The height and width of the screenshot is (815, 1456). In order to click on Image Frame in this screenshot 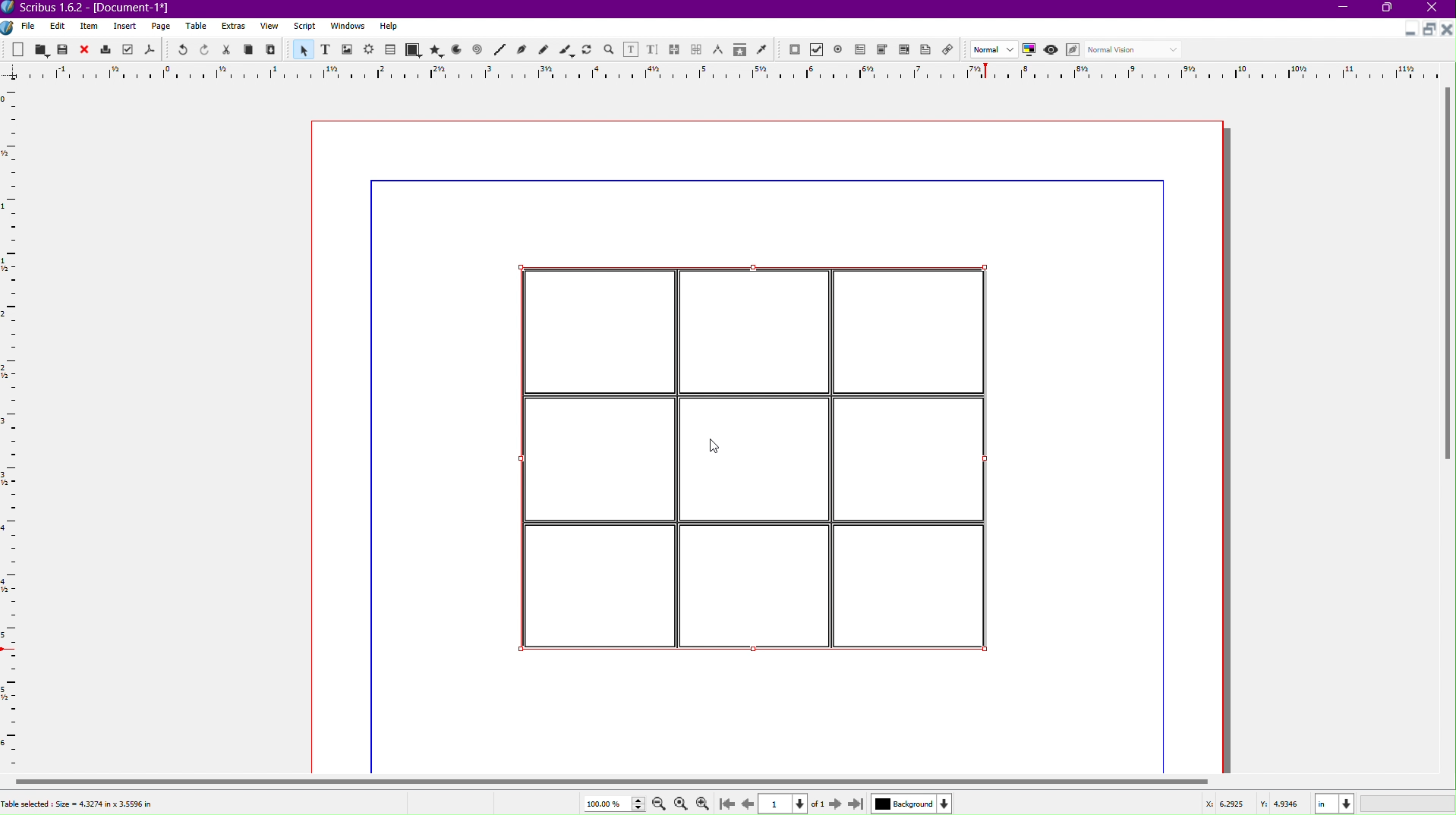, I will do `click(348, 49)`.